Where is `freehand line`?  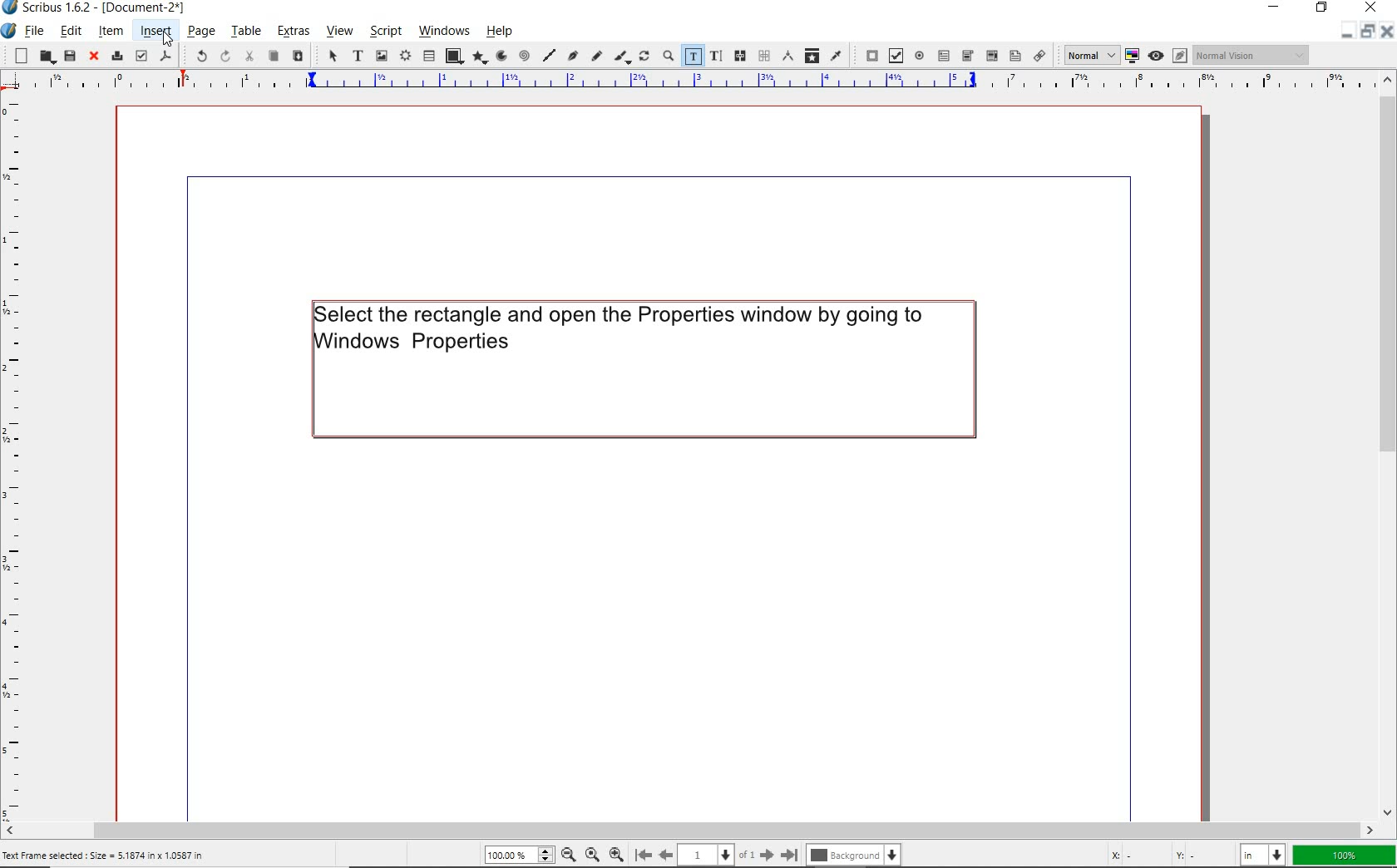 freehand line is located at coordinates (597, 57).